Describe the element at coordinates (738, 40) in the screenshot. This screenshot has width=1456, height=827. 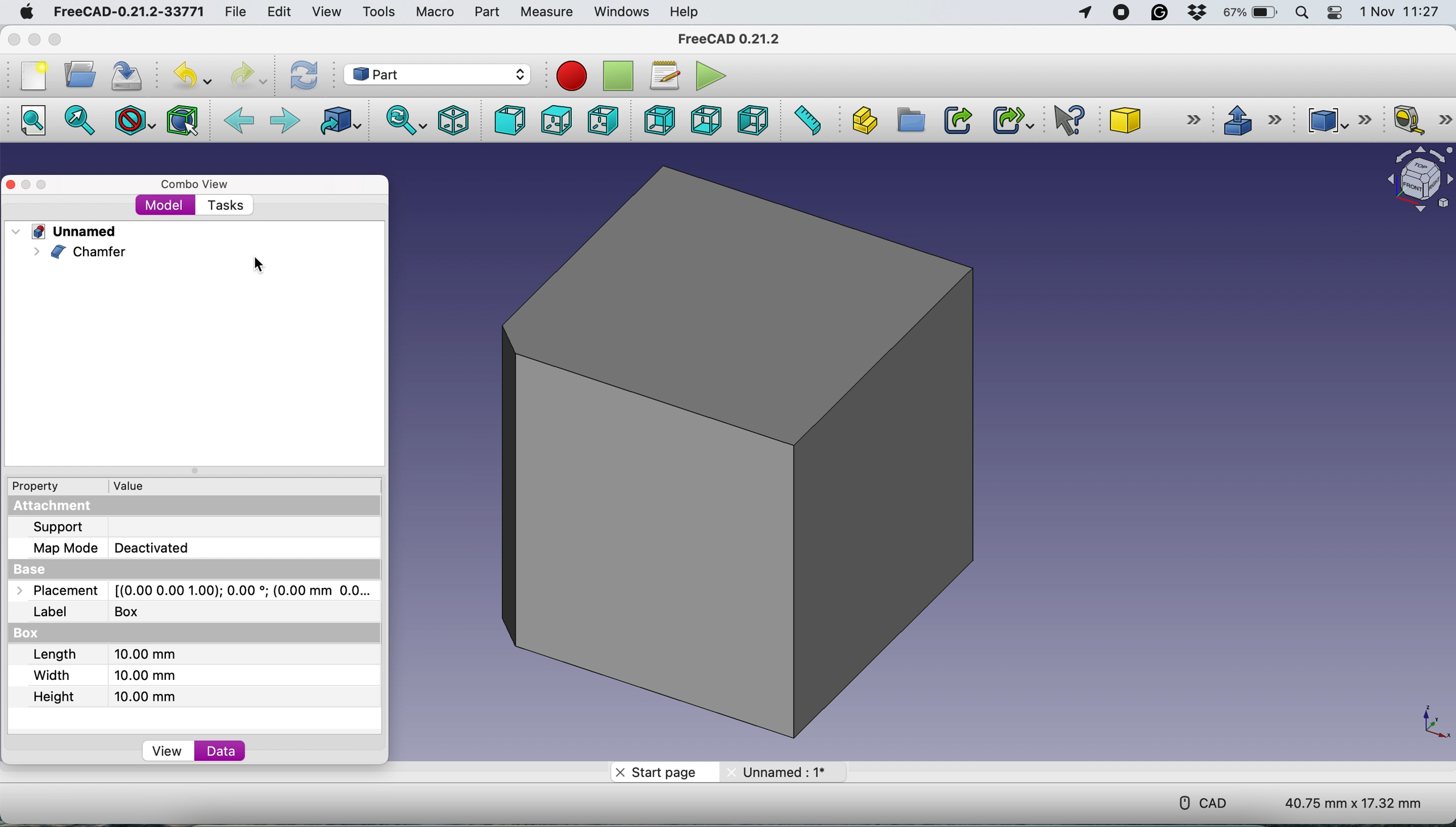
I see `freecad` at that location.